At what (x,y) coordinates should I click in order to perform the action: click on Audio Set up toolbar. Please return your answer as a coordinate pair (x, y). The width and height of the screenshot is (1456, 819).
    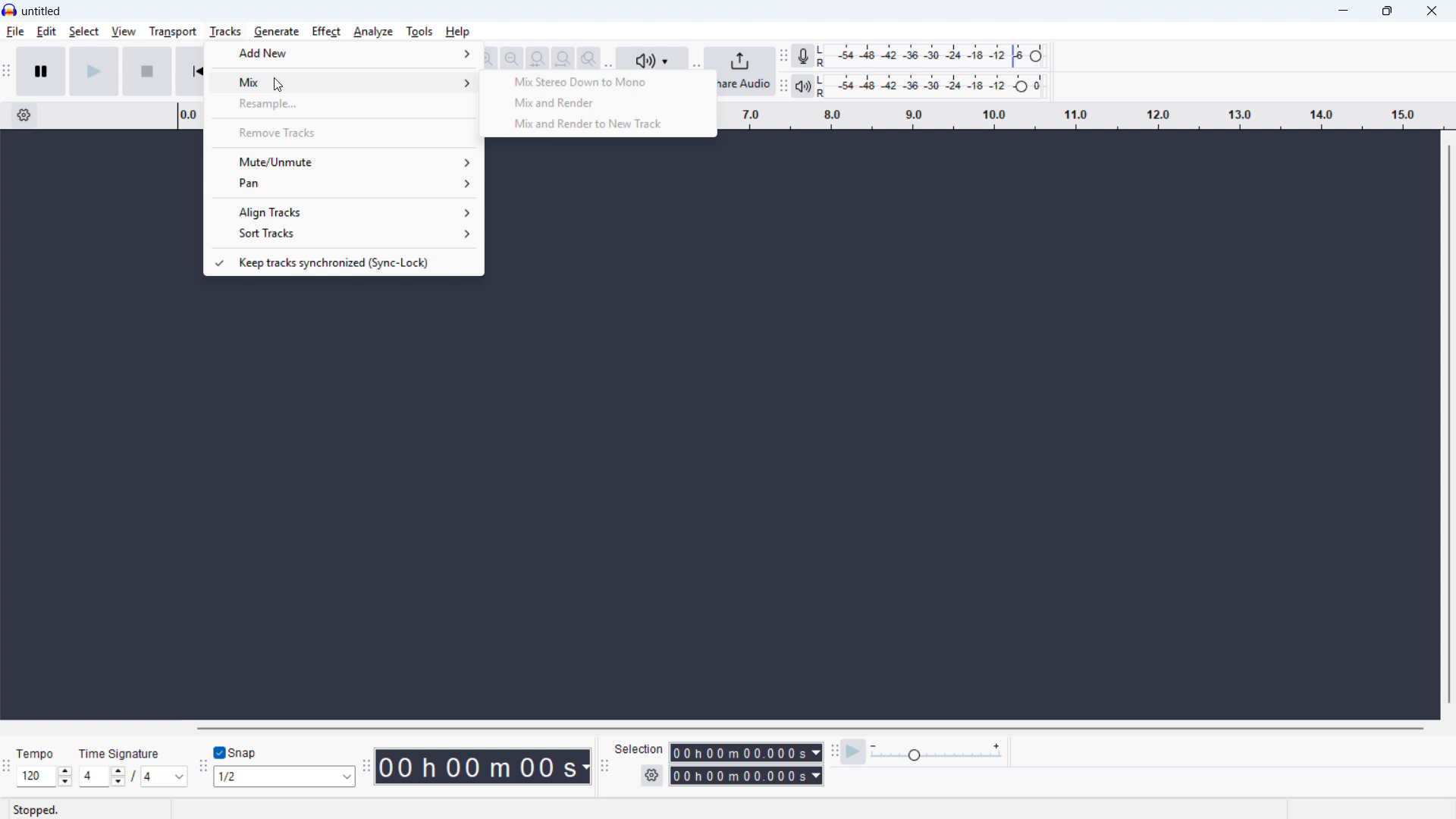
    Looking at the image, I should click on (610, 56).